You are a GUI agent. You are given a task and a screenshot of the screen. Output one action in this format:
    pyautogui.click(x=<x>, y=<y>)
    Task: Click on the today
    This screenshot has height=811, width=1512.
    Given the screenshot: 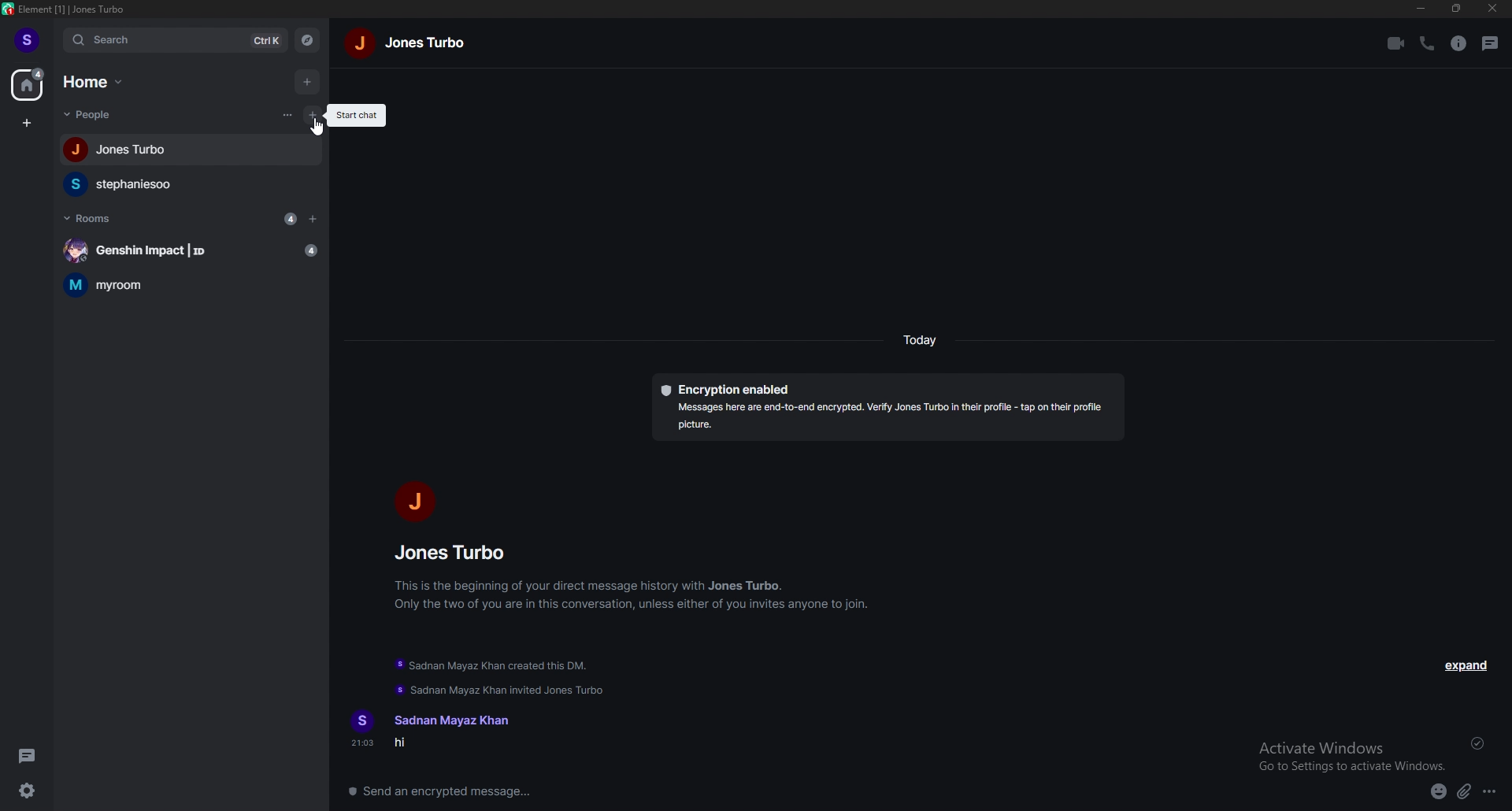 What is the action you would take?
    pyautogui.click(x=919, y=341)
    